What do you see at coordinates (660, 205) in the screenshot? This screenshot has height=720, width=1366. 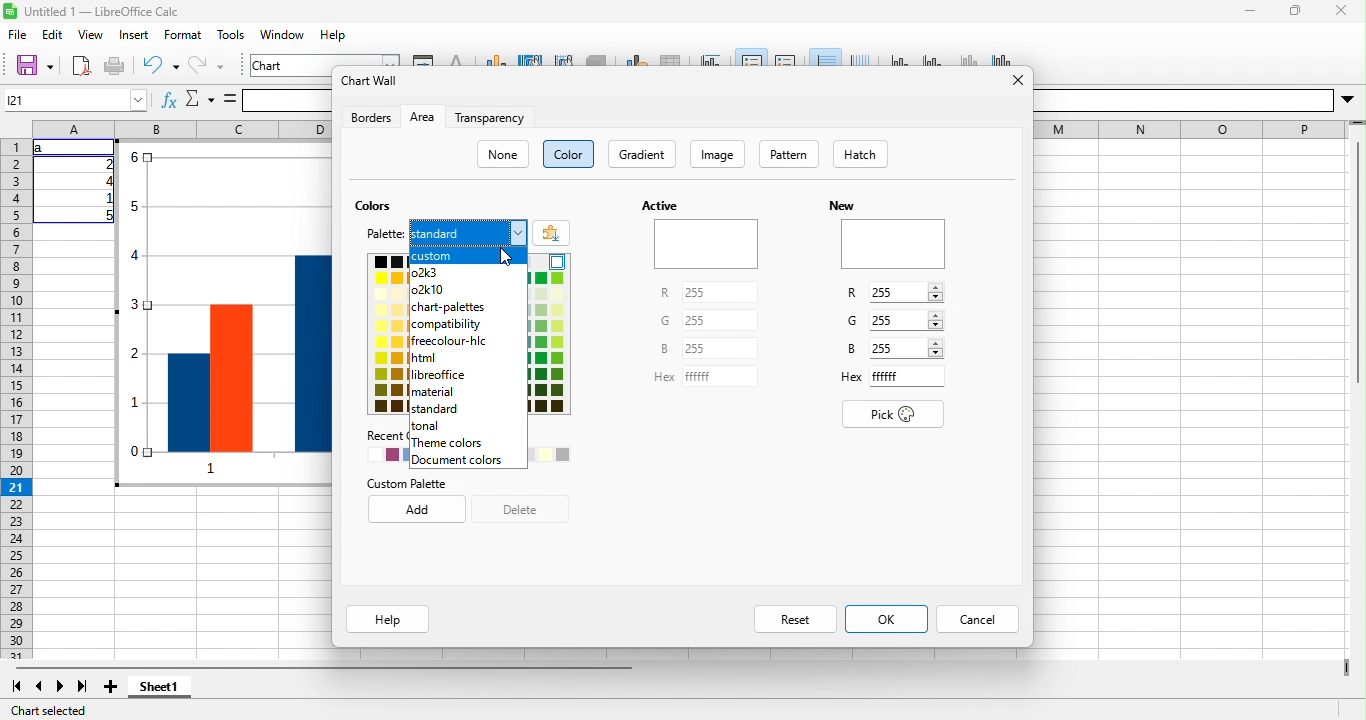 I see `Active` at bounding box center [660, 205].